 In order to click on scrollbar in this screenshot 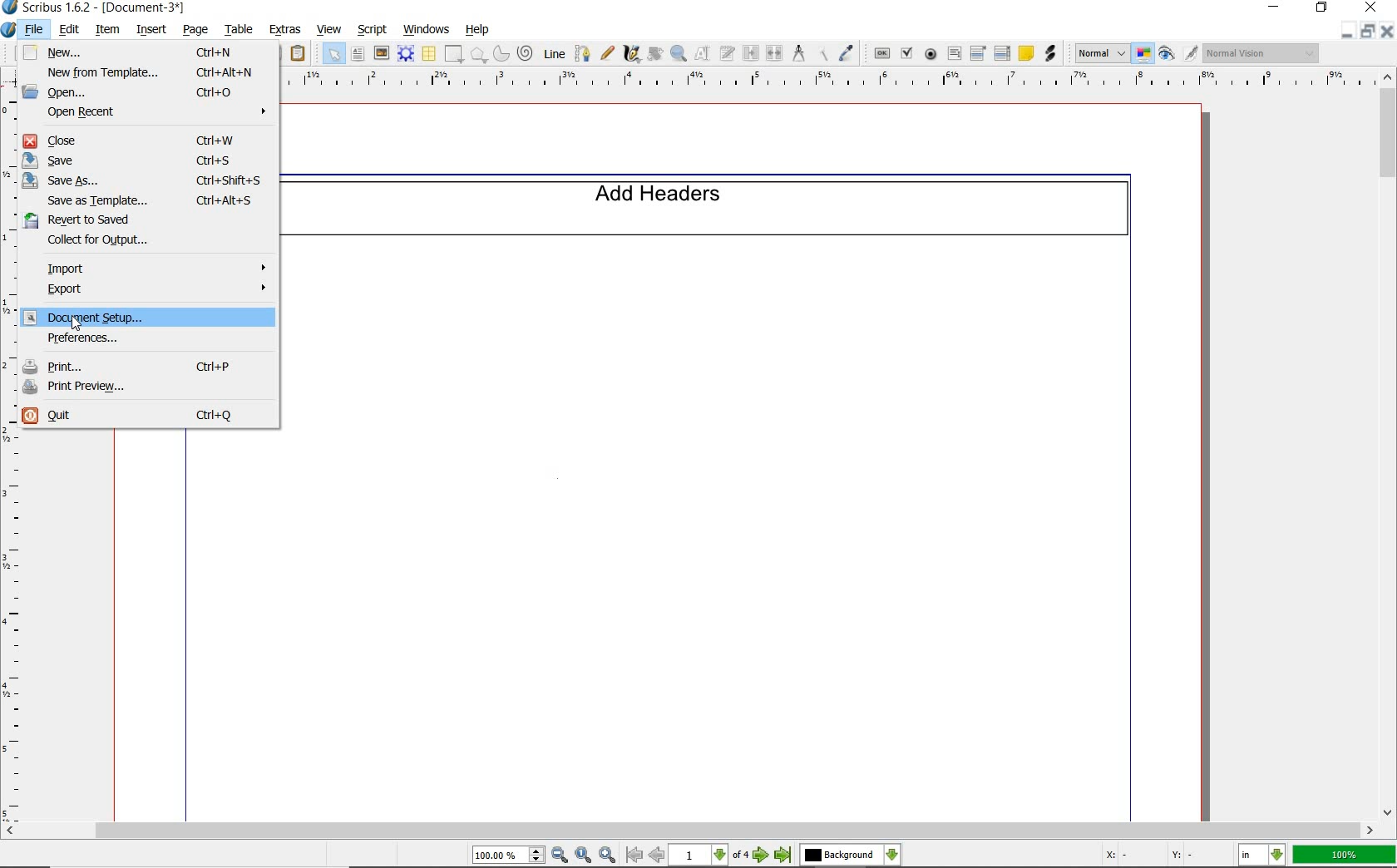, I will do `click(689, 832)`.